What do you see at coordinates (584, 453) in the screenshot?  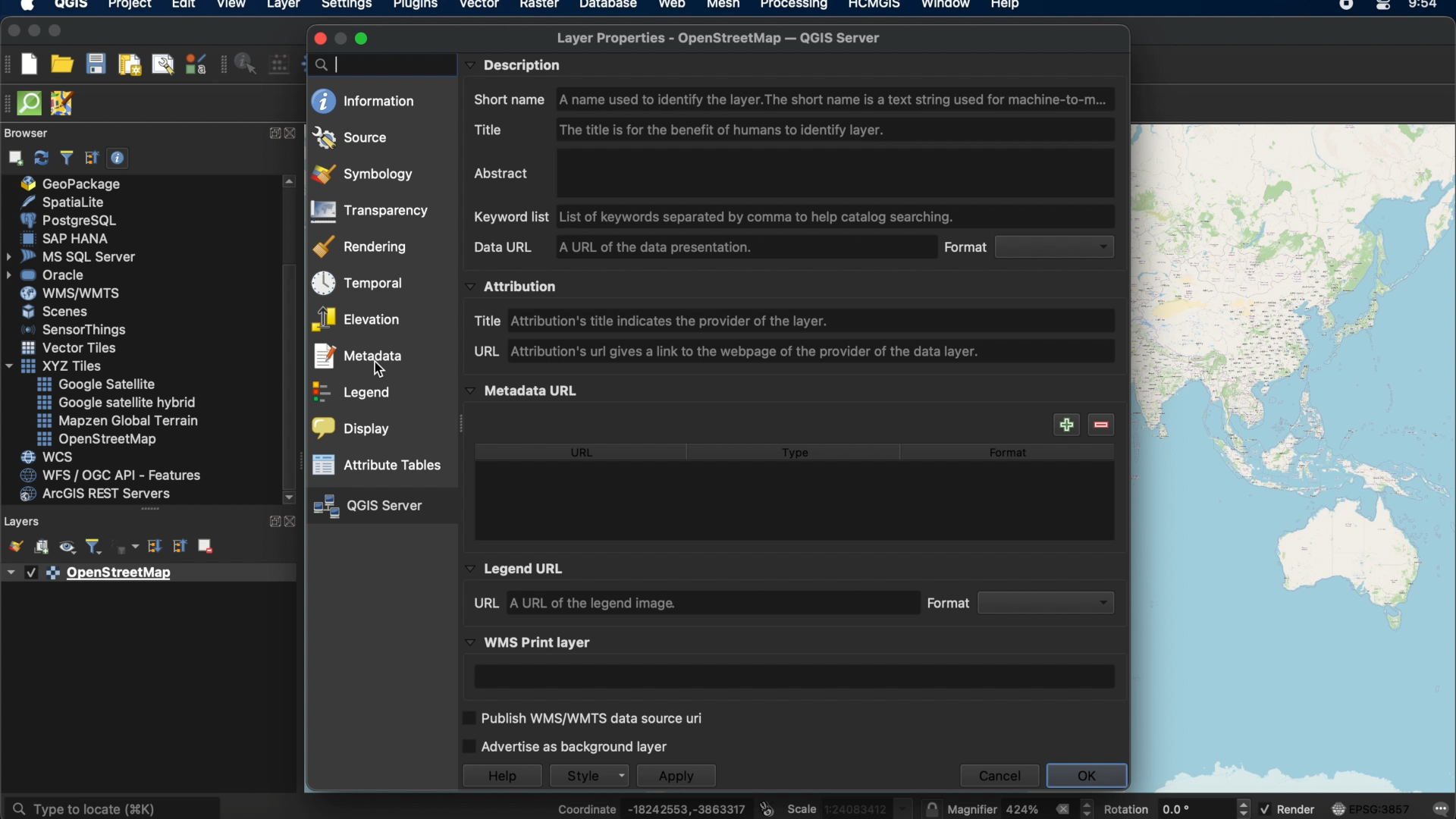 I see `url` at bounding box center [584, 453].